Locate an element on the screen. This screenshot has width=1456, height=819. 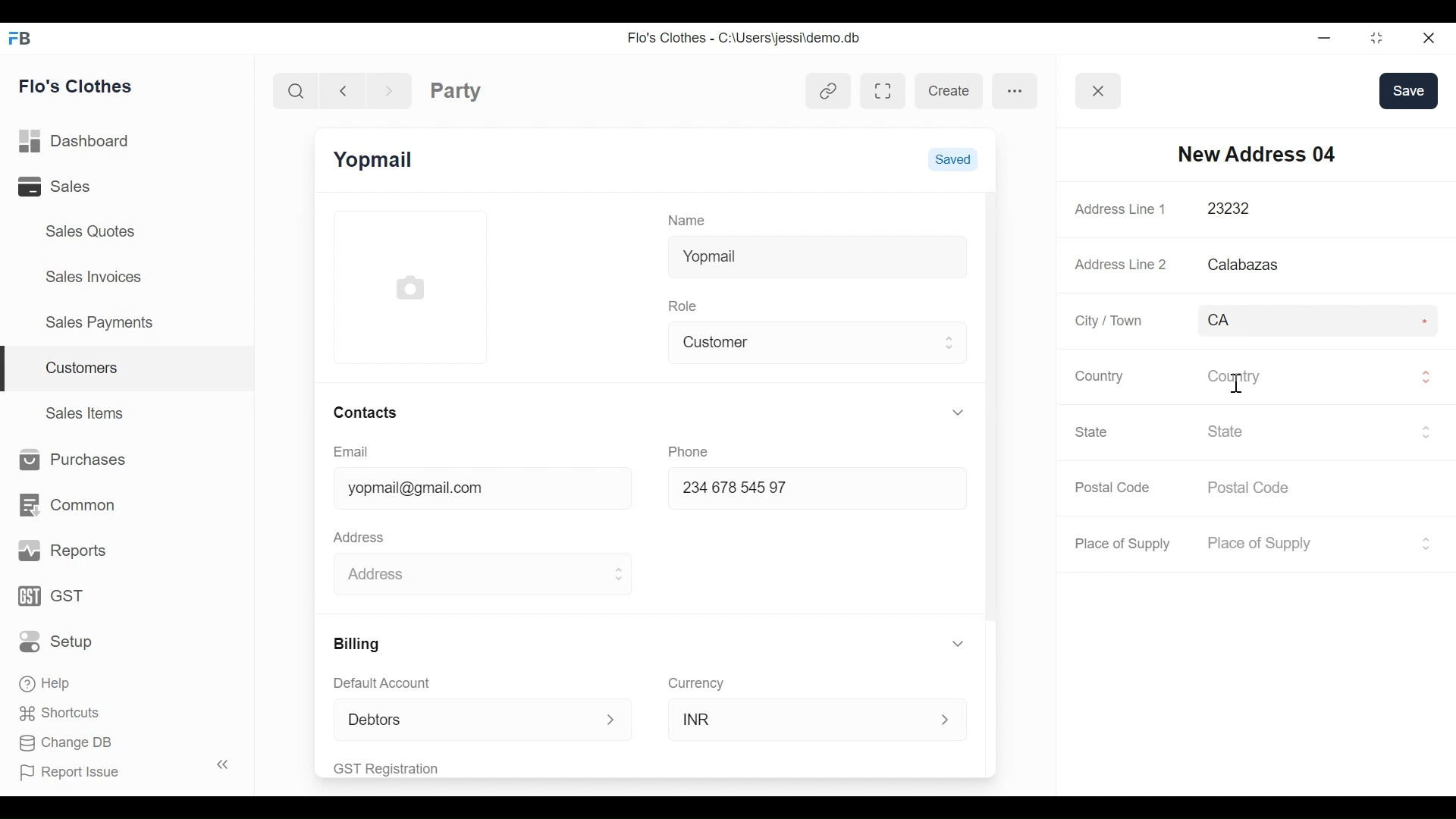
Expand is located at coordinates (612, 720).